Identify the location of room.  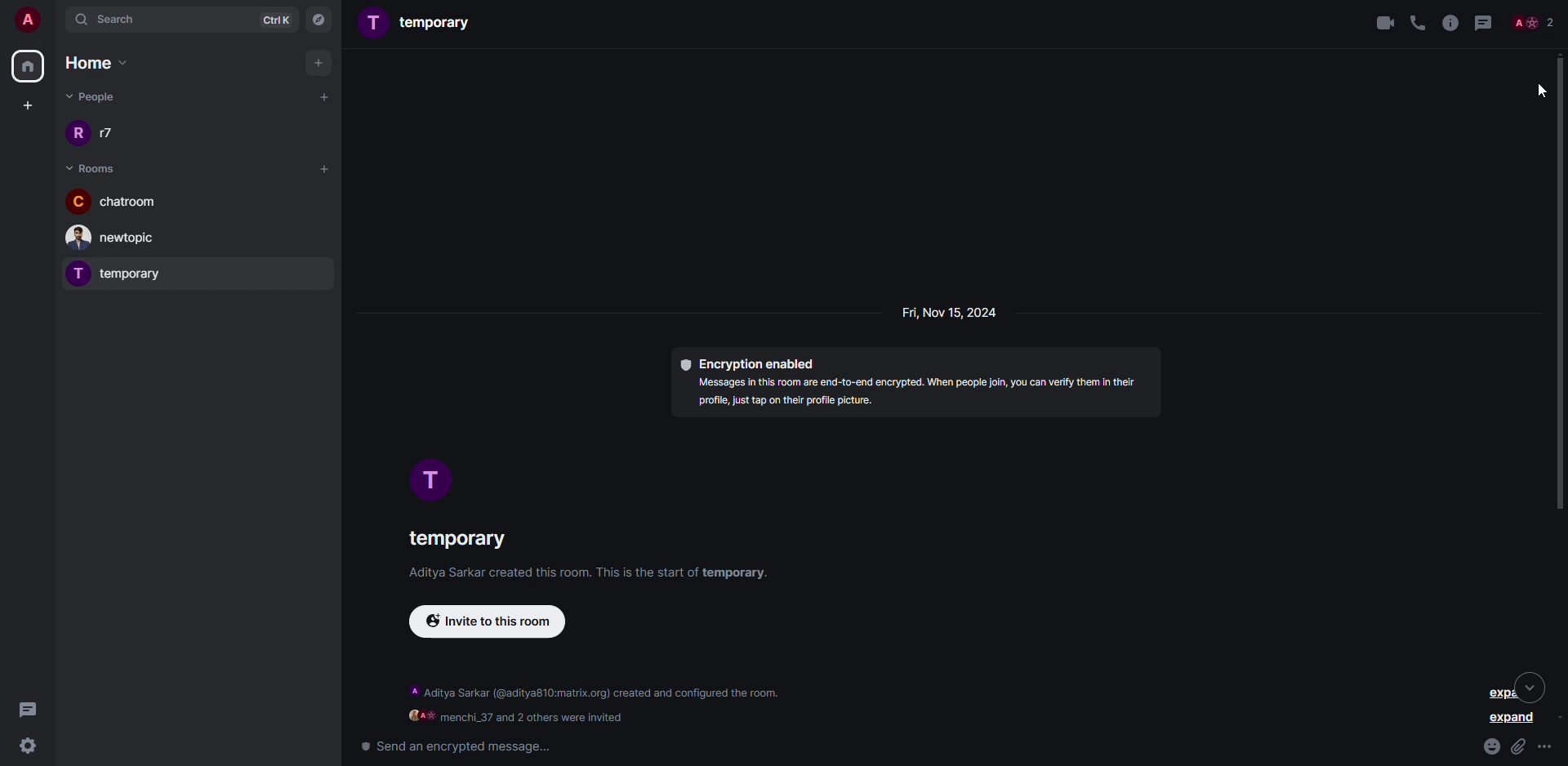
(91, 167).